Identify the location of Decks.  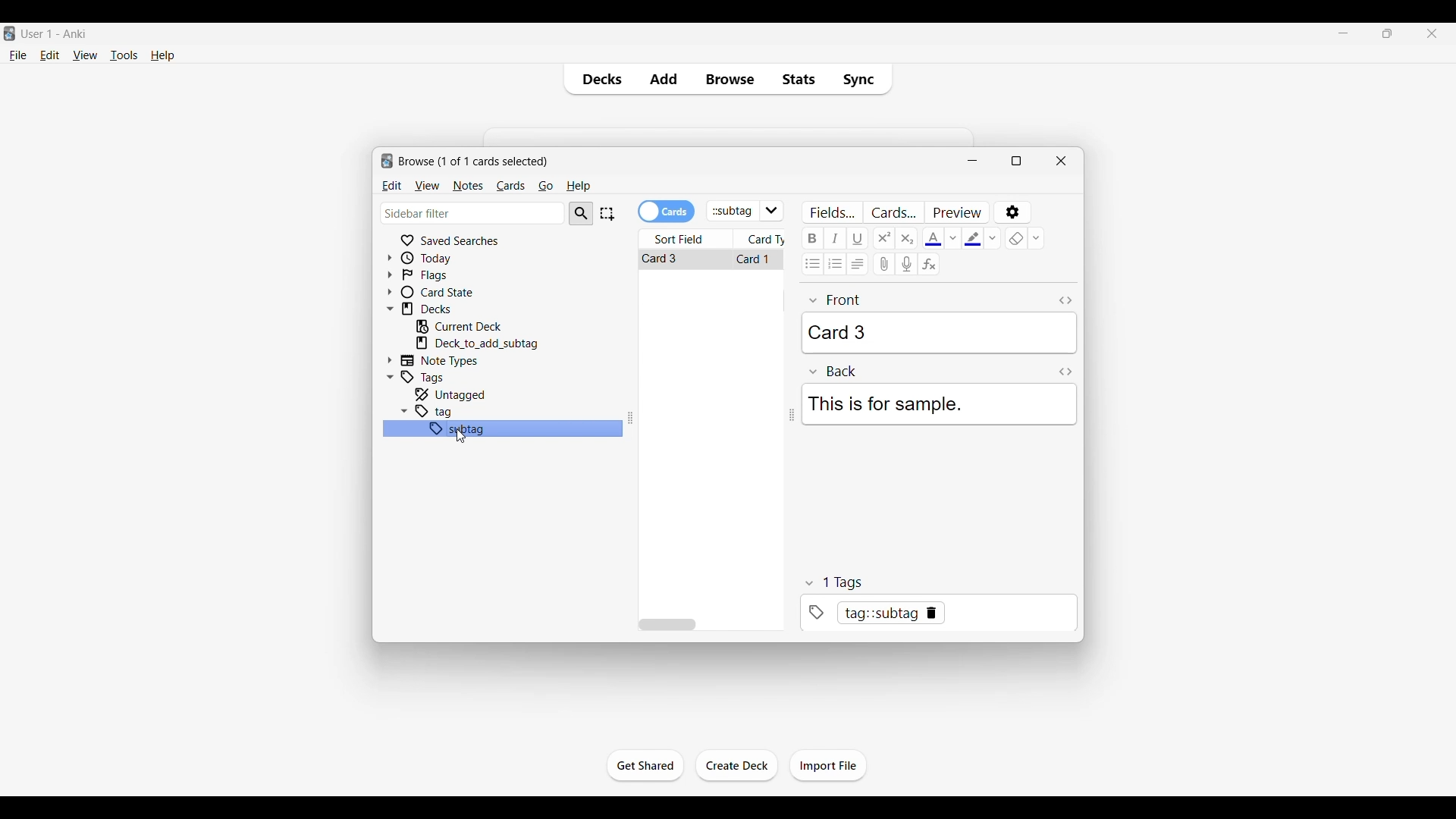
(598, 79).